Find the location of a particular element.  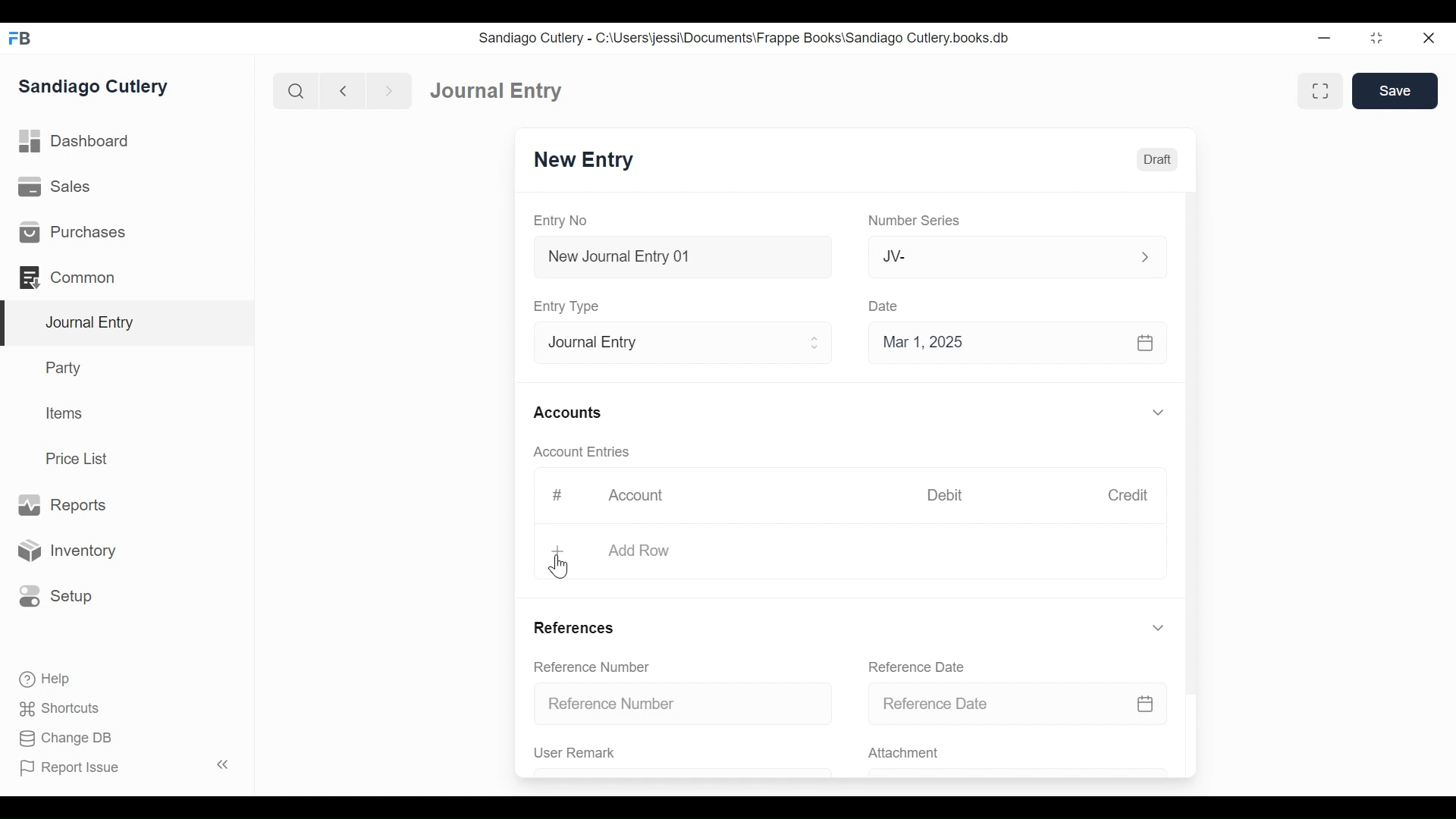

Date is located at coordinates (884, 306).